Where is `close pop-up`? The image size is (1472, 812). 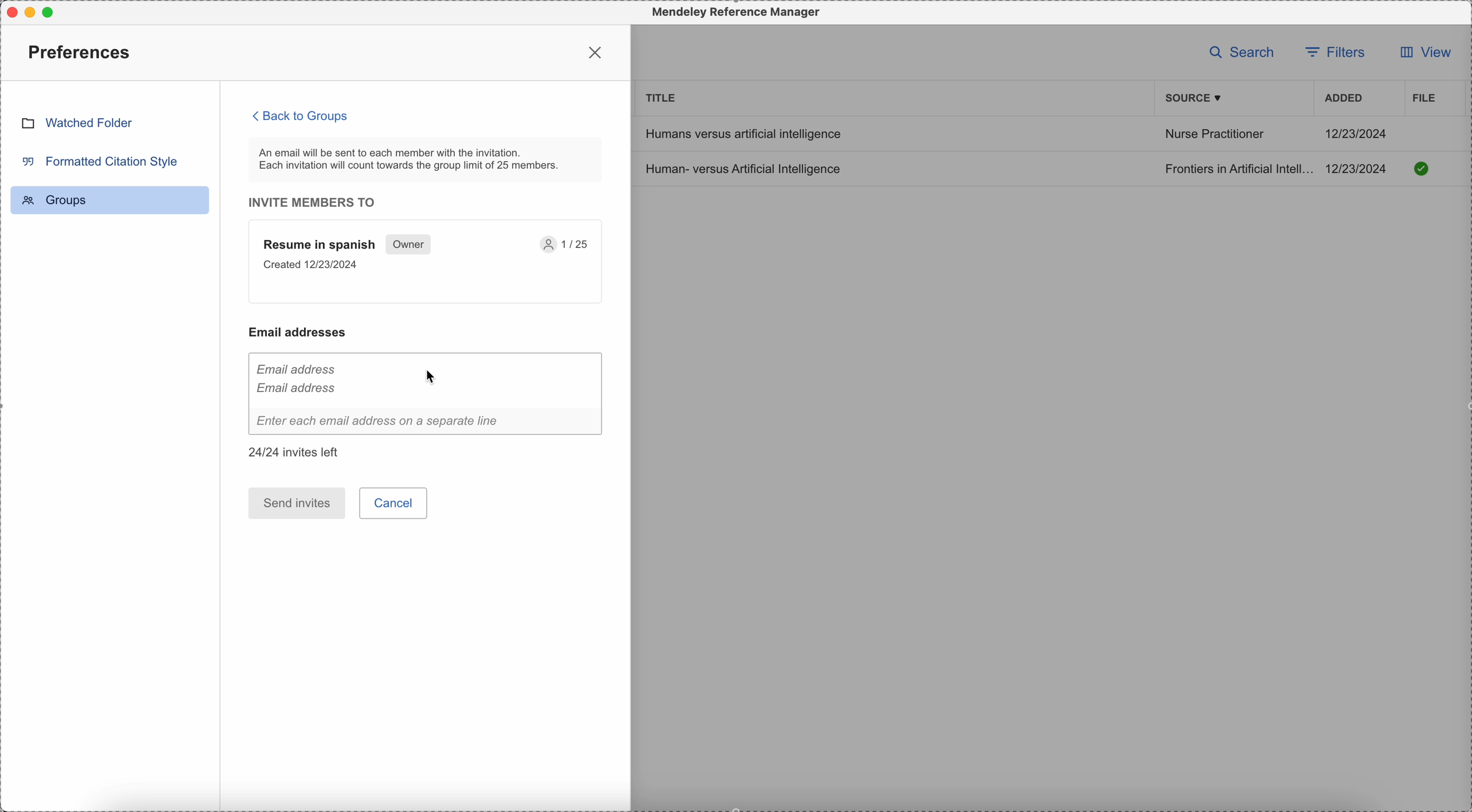 close pop-up is located at coordinates (597, 52).